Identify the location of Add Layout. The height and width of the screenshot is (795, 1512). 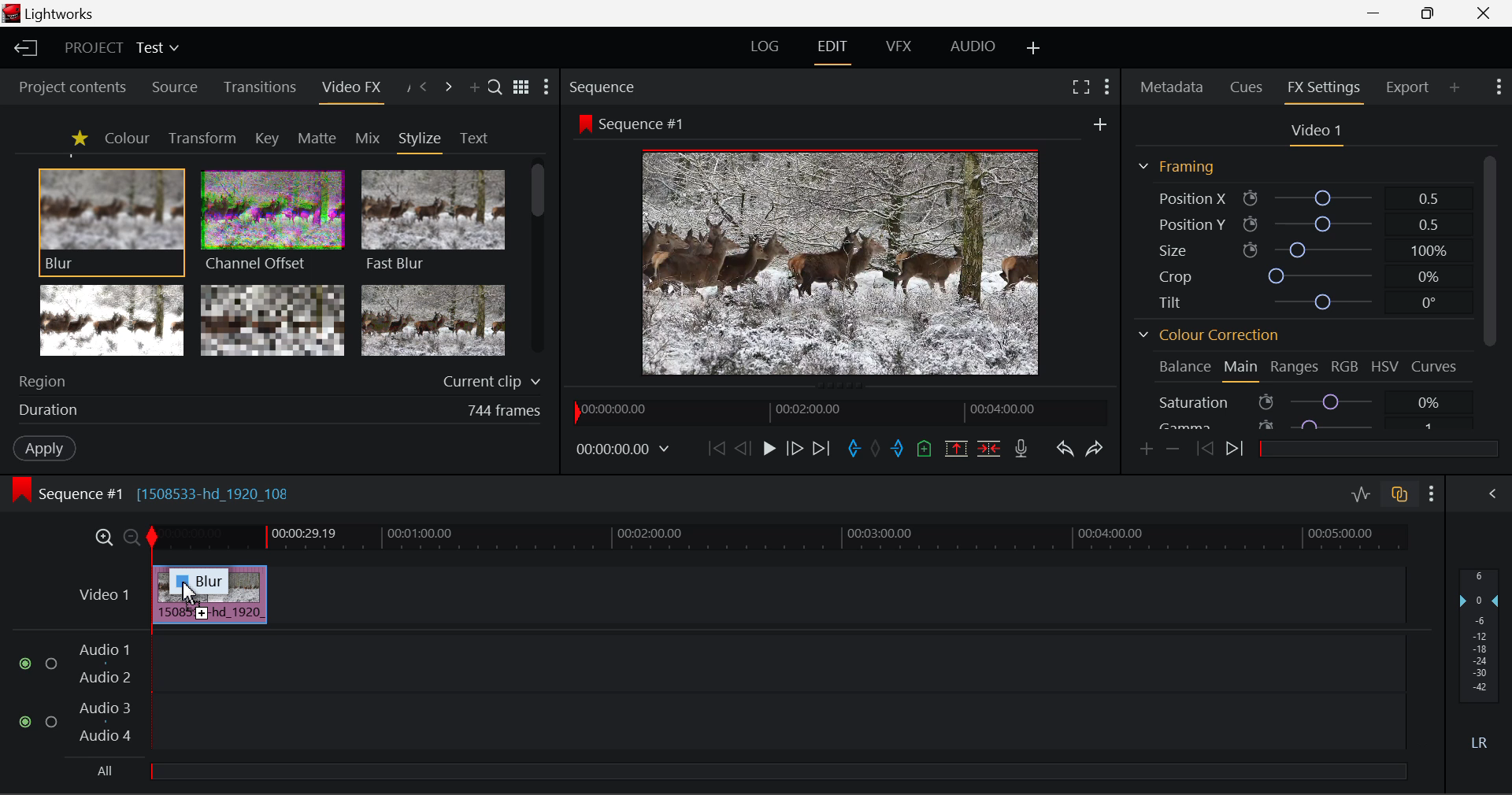
(1034, 48).